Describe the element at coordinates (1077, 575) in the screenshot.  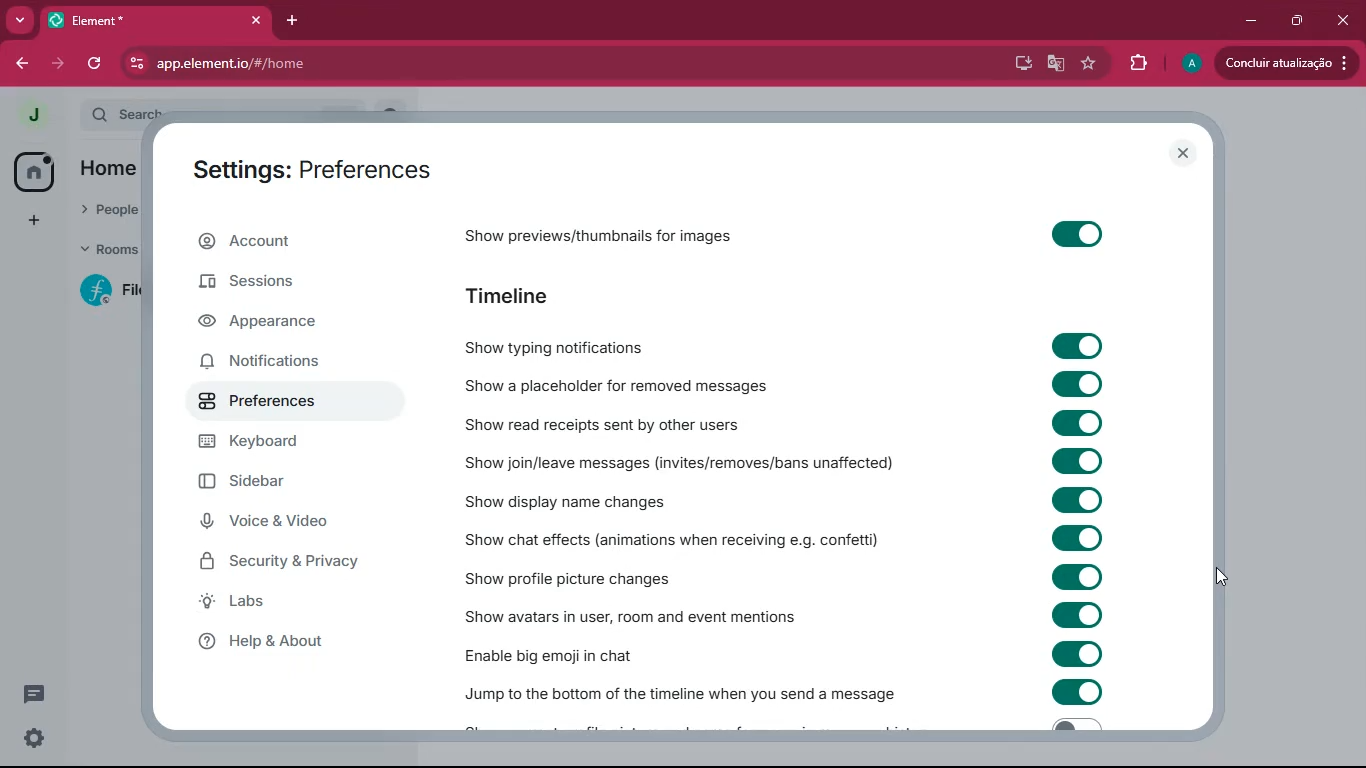
I see `toggle on ` at that location.